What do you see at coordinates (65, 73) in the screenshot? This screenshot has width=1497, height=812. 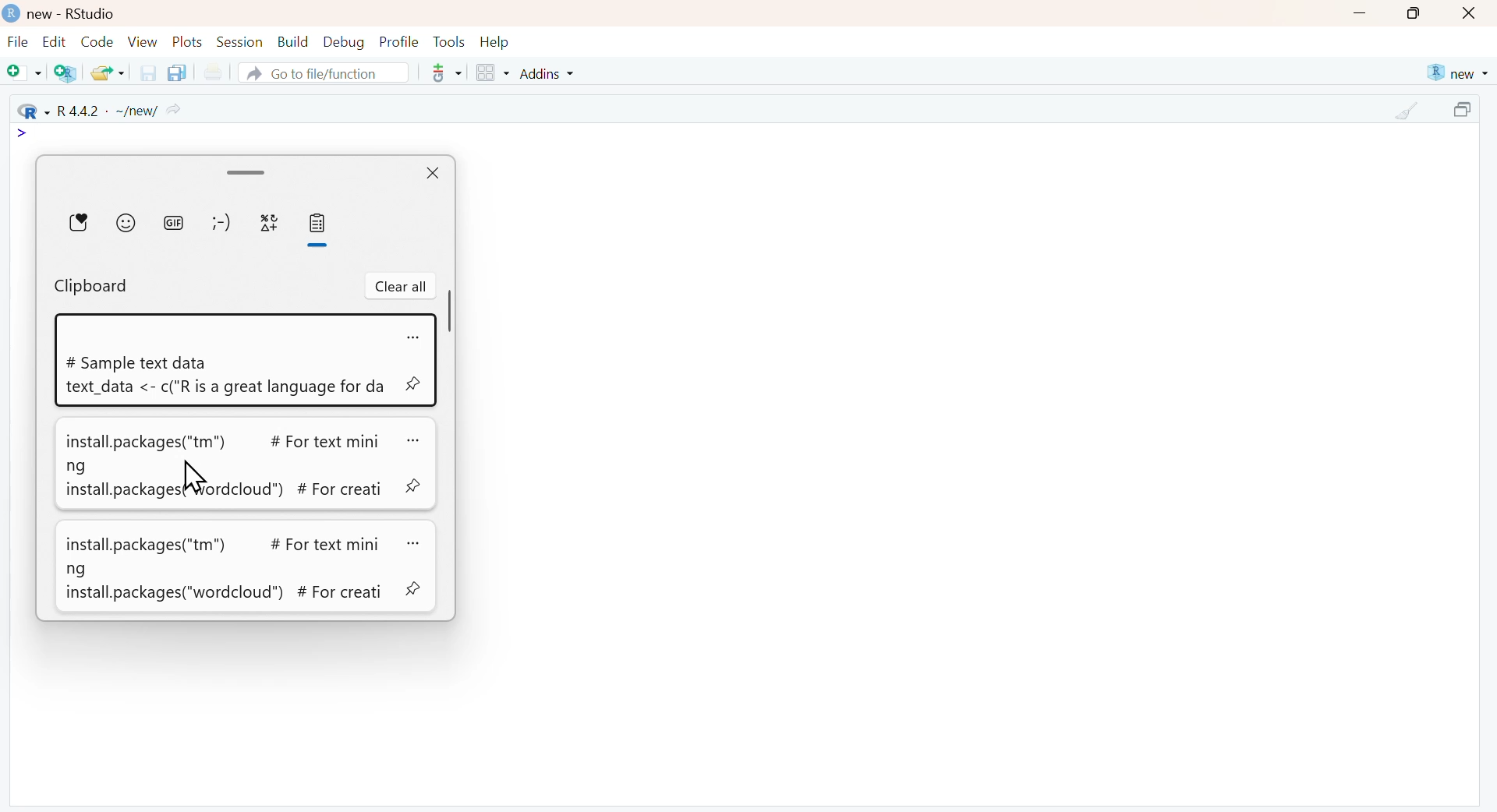 I see `Create a project` at bounding box center [65, 73].